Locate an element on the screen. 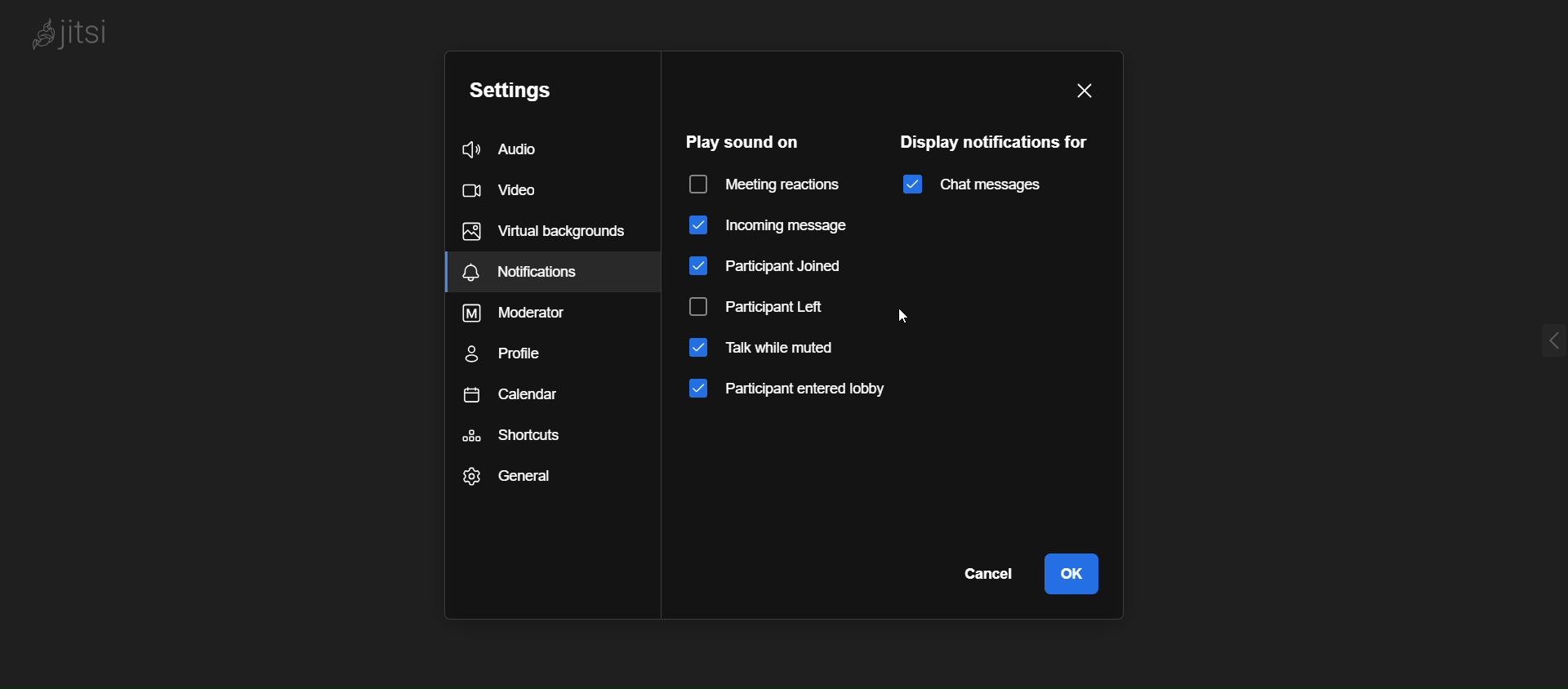 The width and height of the screenshot is (1568, 689). incoming message is located at coordinates (765, 227).